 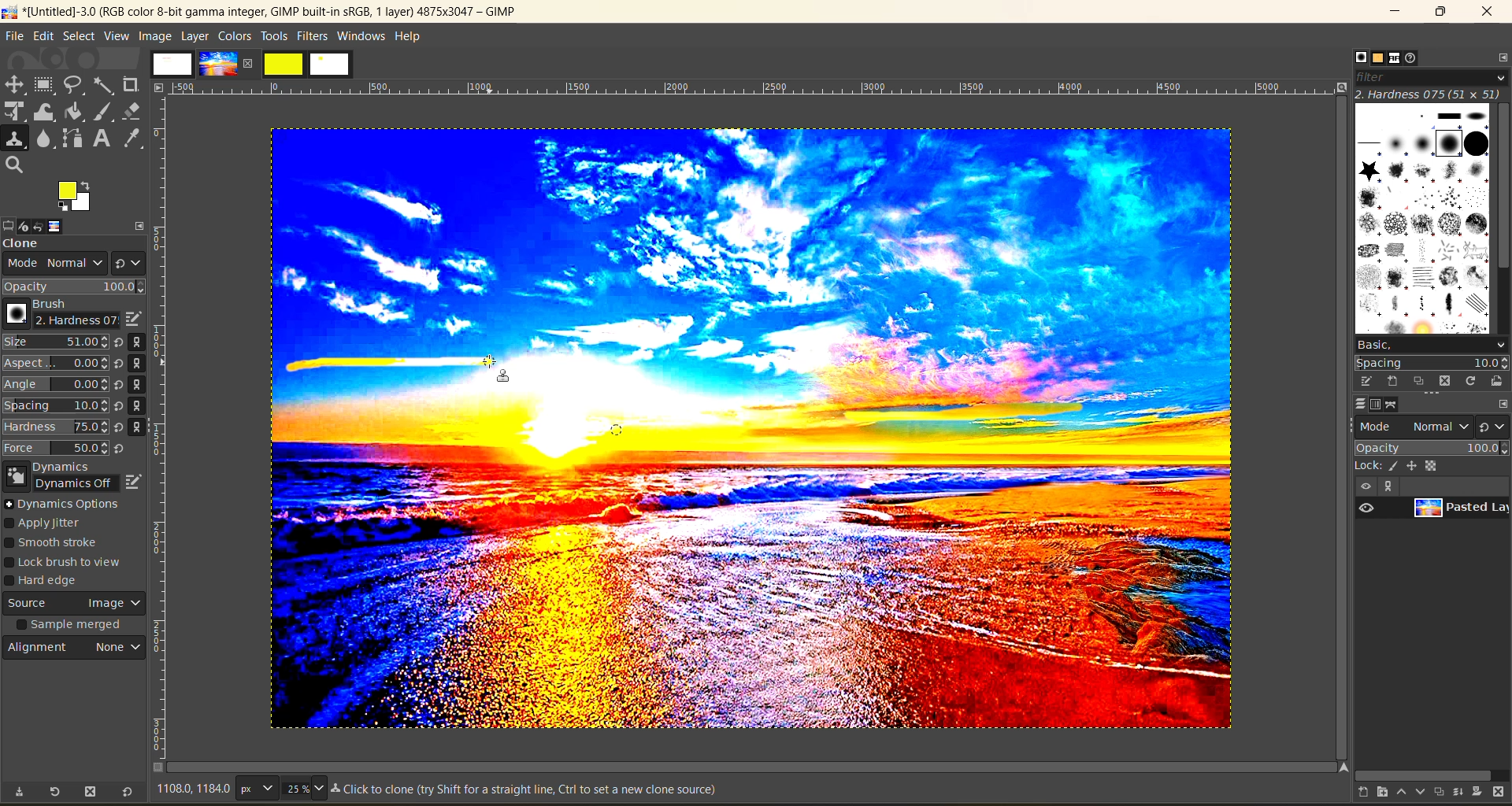 What do you see at coordinates (75, 605) in the screenshot?
I see `source` at bounding box center [75, 605].